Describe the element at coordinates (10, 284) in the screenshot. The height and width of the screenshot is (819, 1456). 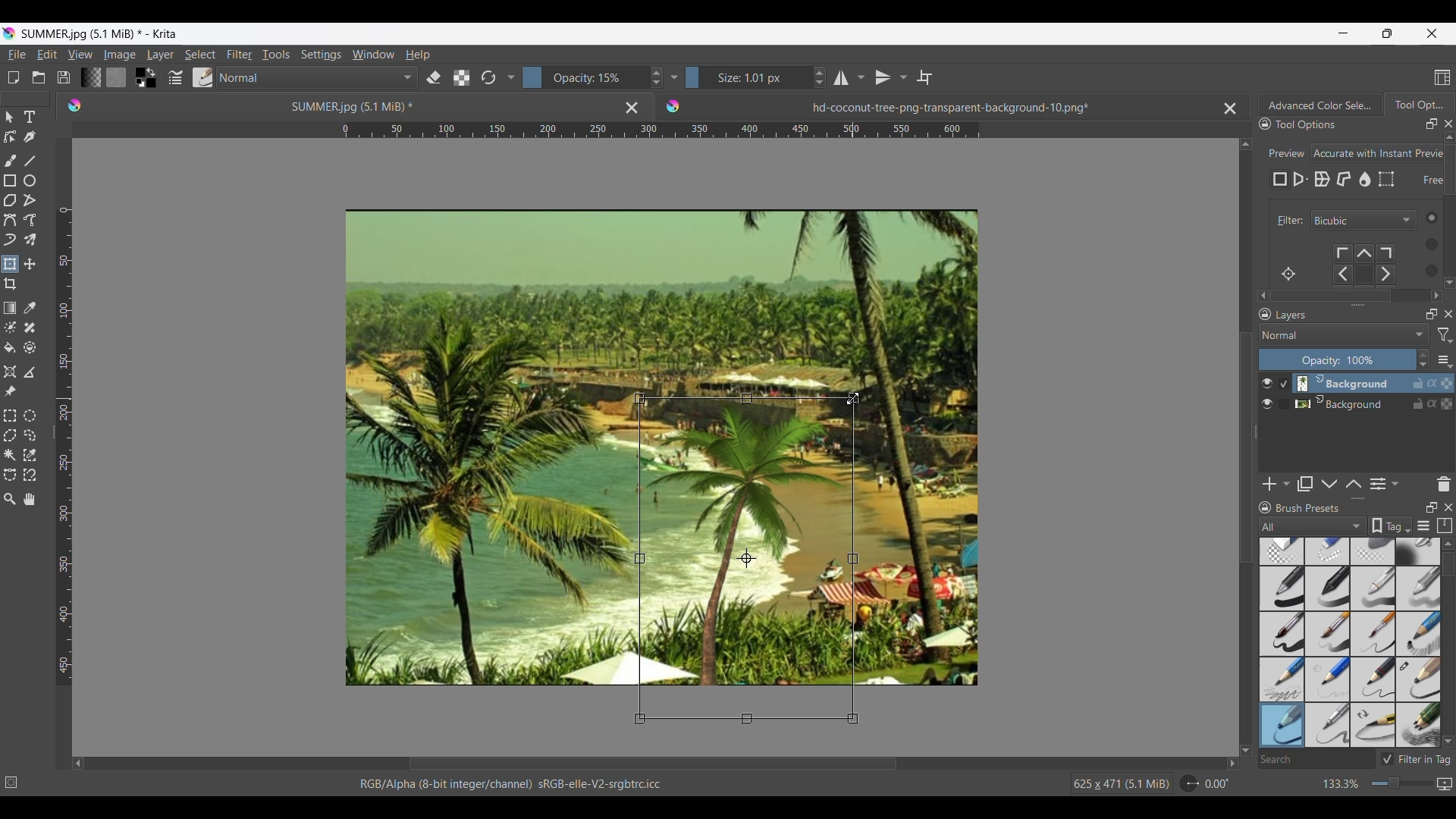
I see `Crop tool` at that location.